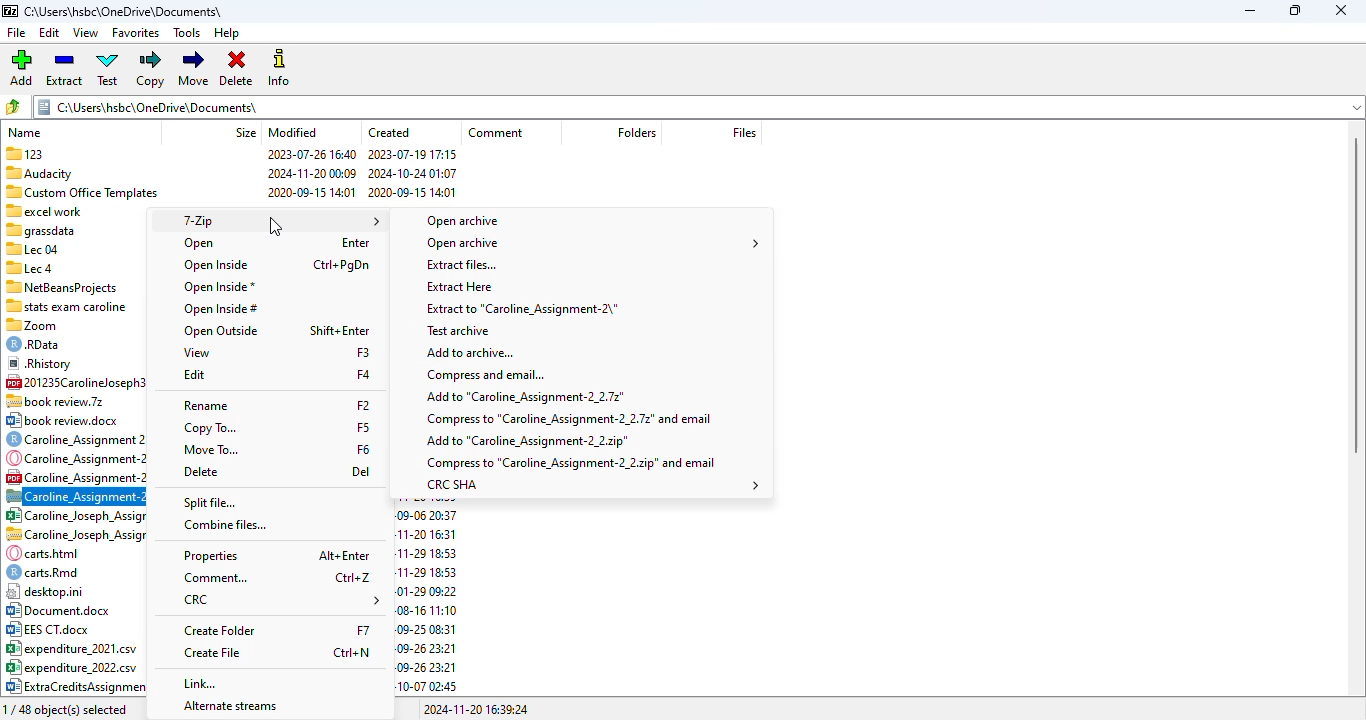  I want to click on shortcut for properties, so click(344, 554).